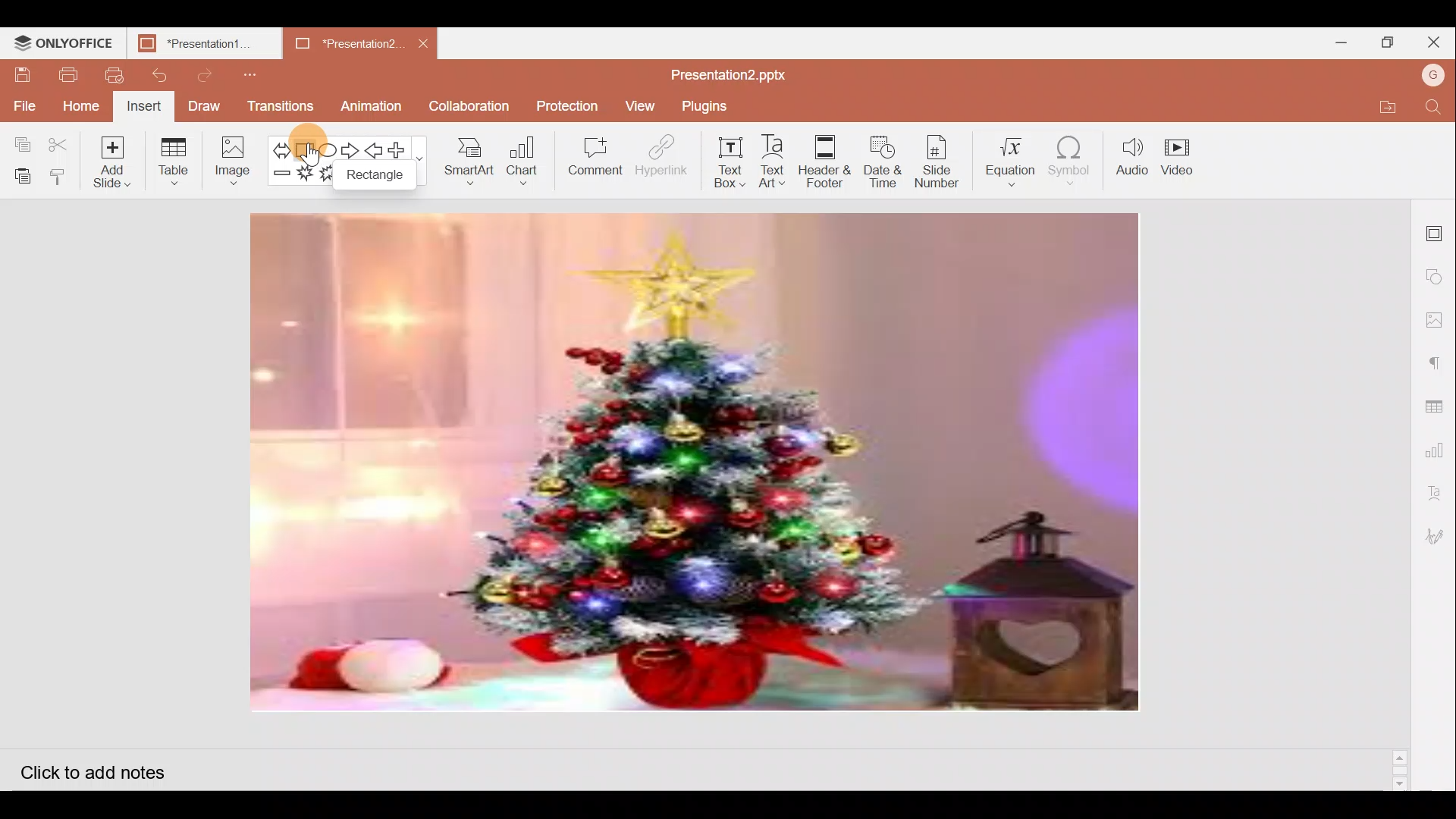 This screenshot has height=819, width=1456. Describe the element at coordinates (402, 150) in the screenshot. I see `Plus` at that location.